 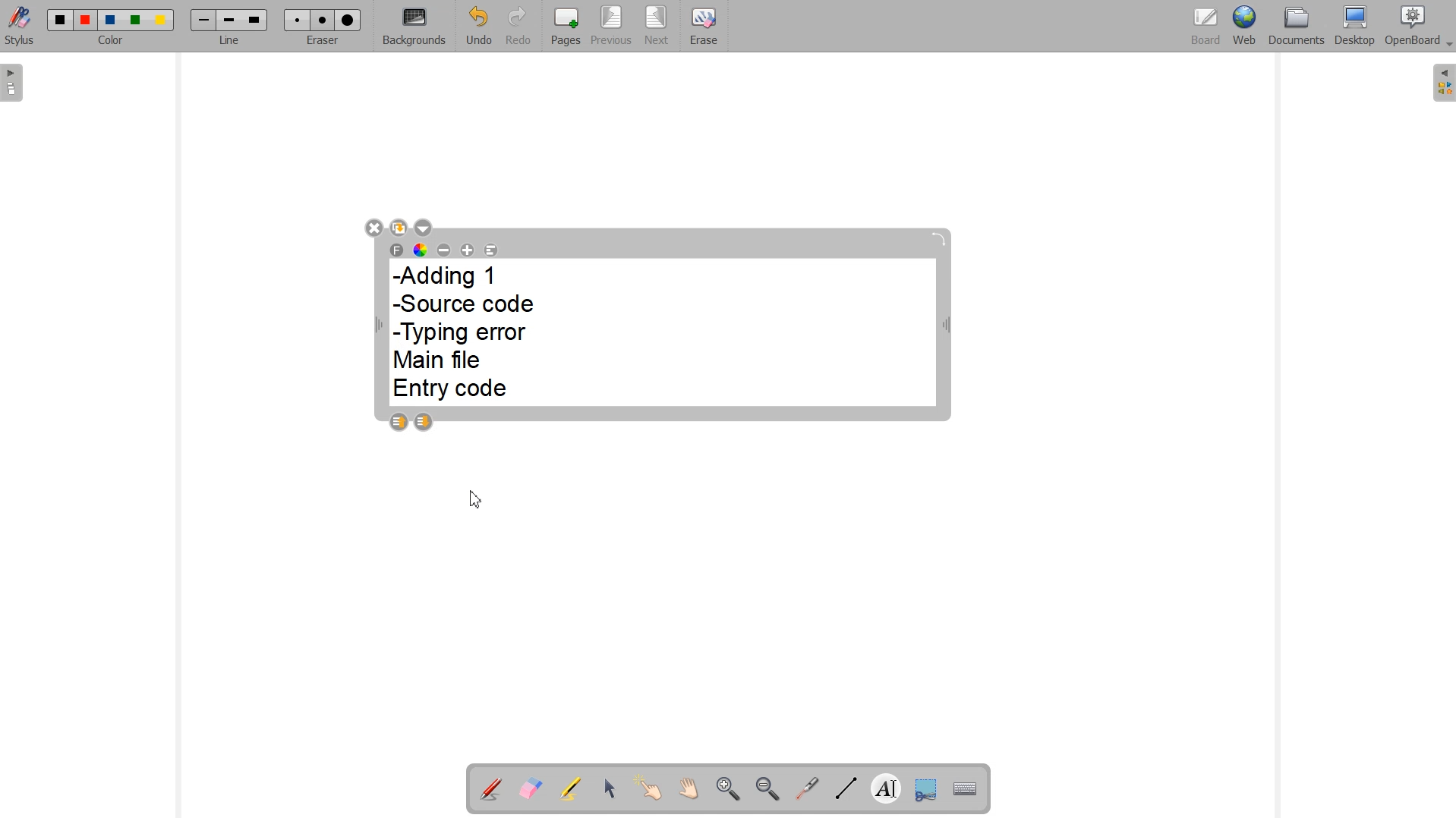 I want to click on Backgrounds, so click(x=414, y=27).